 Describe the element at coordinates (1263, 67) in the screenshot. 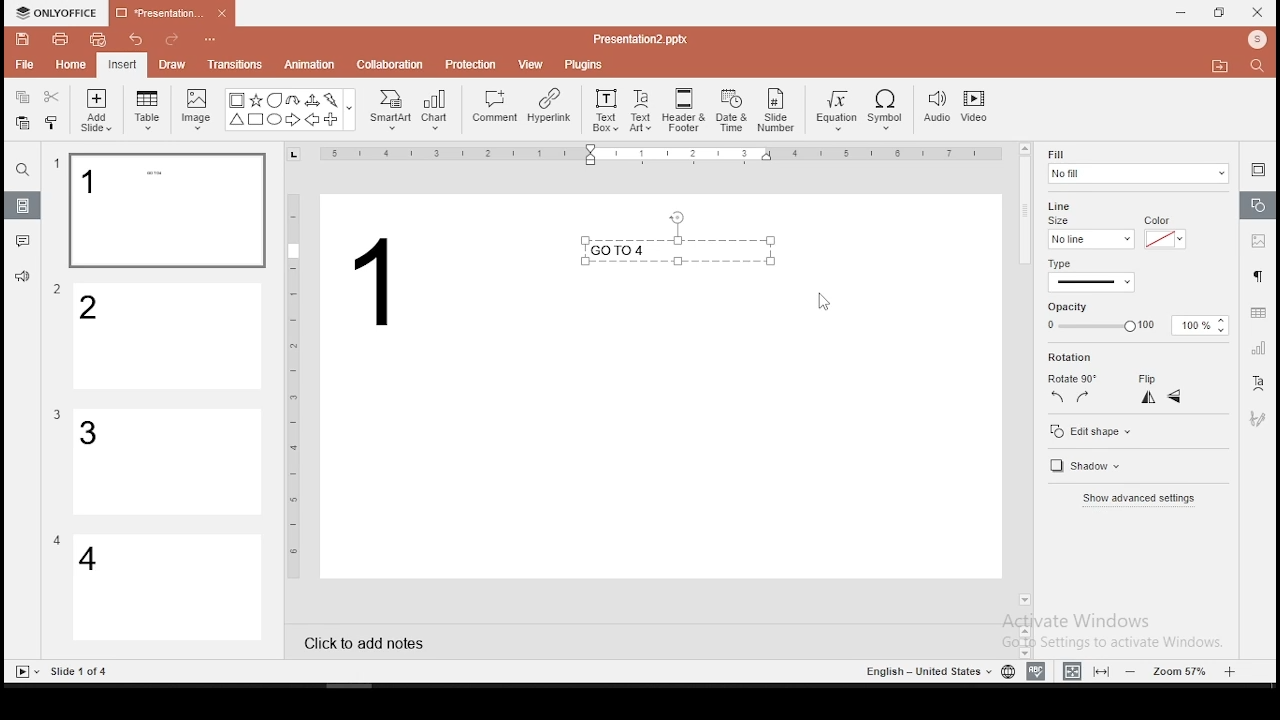

I see `Search` at that location.